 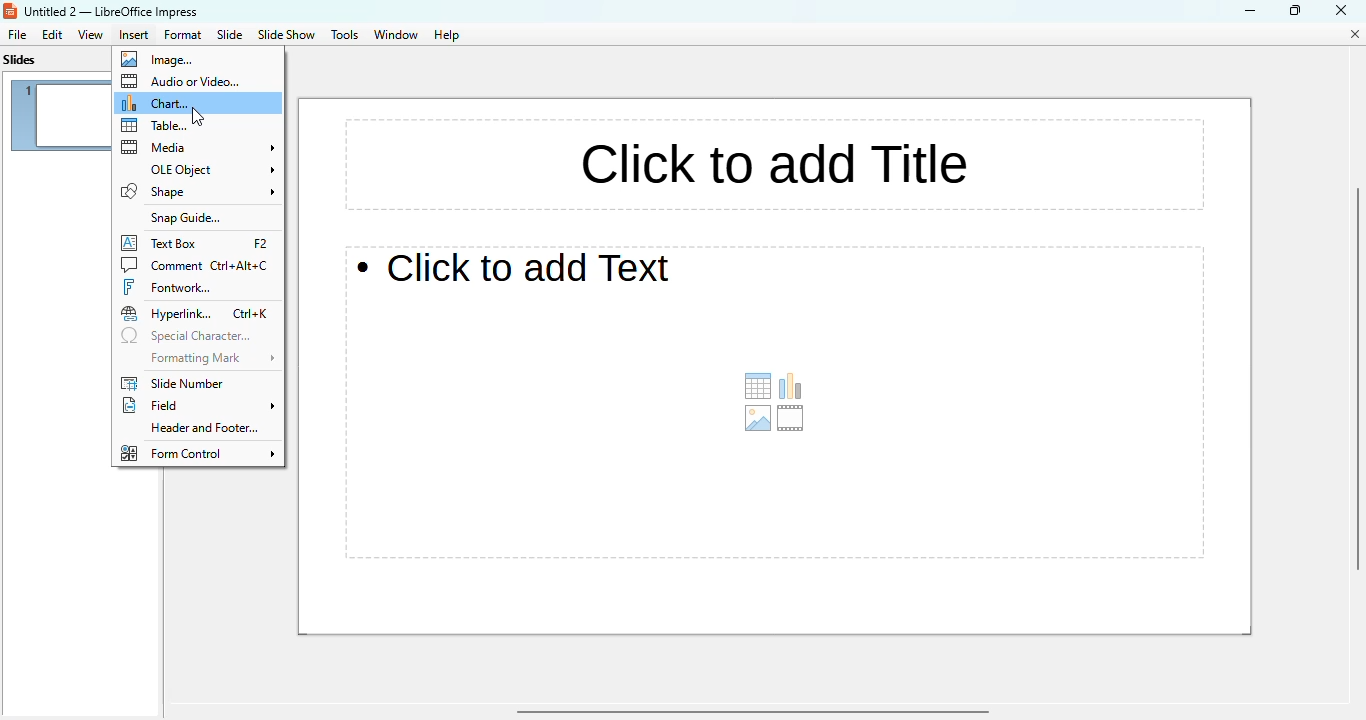 What do you see at coordinates (198, 116) in the screenshot?
I see `cursor` at bounding box center [198, 116].